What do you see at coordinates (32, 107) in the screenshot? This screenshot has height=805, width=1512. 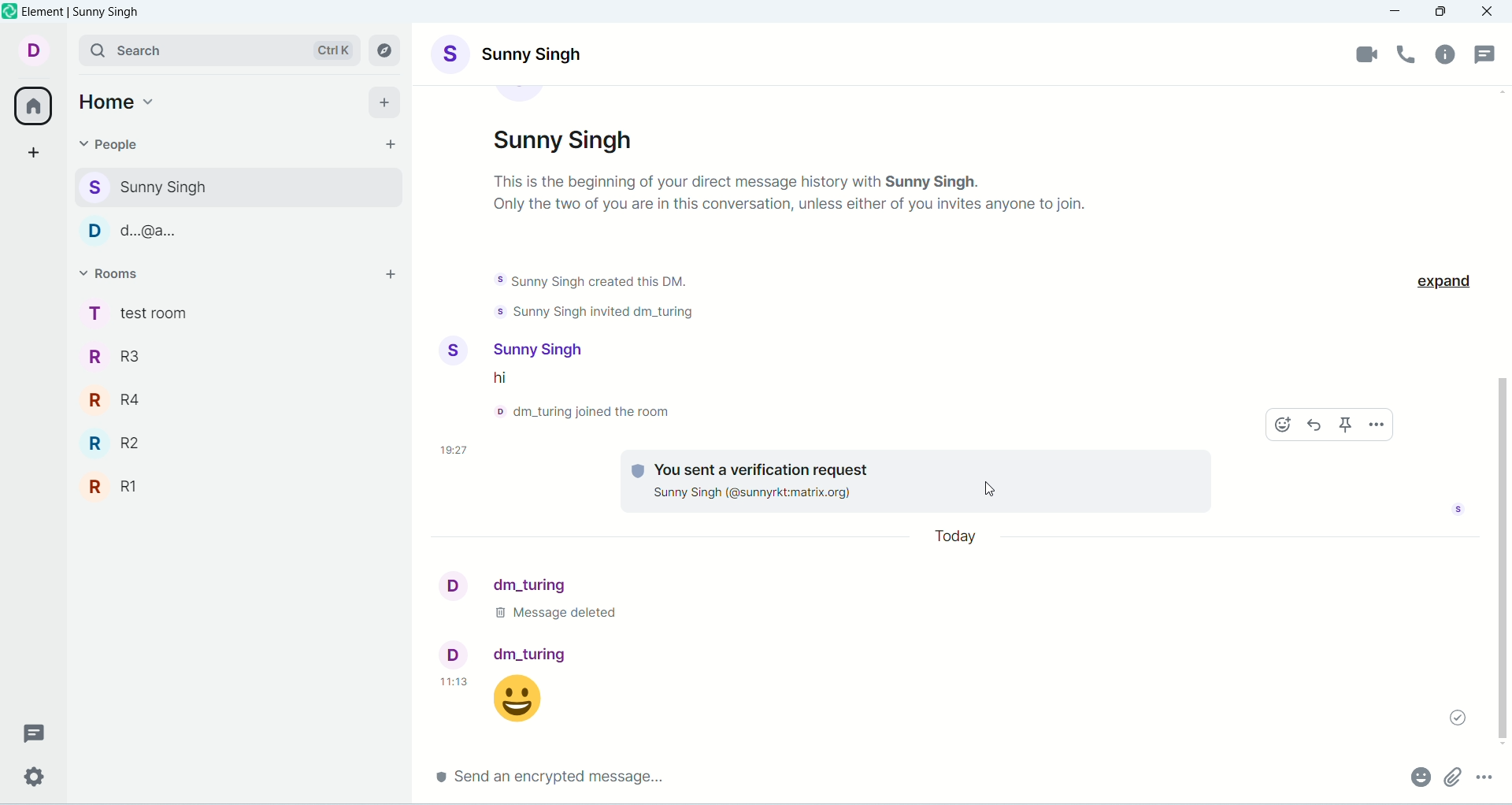 I see `home` at bounding box center [32, 107].